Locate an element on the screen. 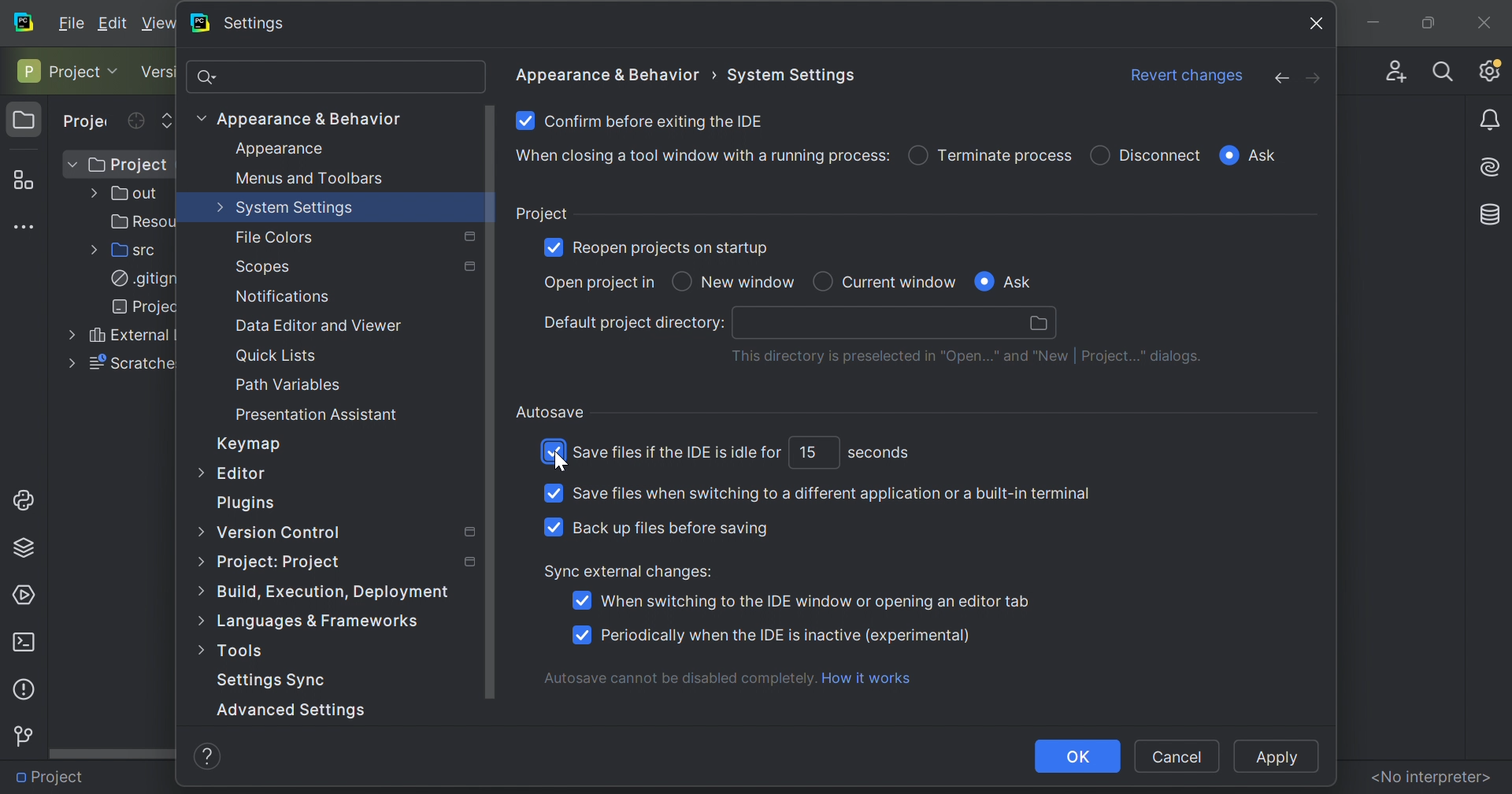 The width and height of the screenshot is (1512, 794). More is located at coordinates (67, 336).